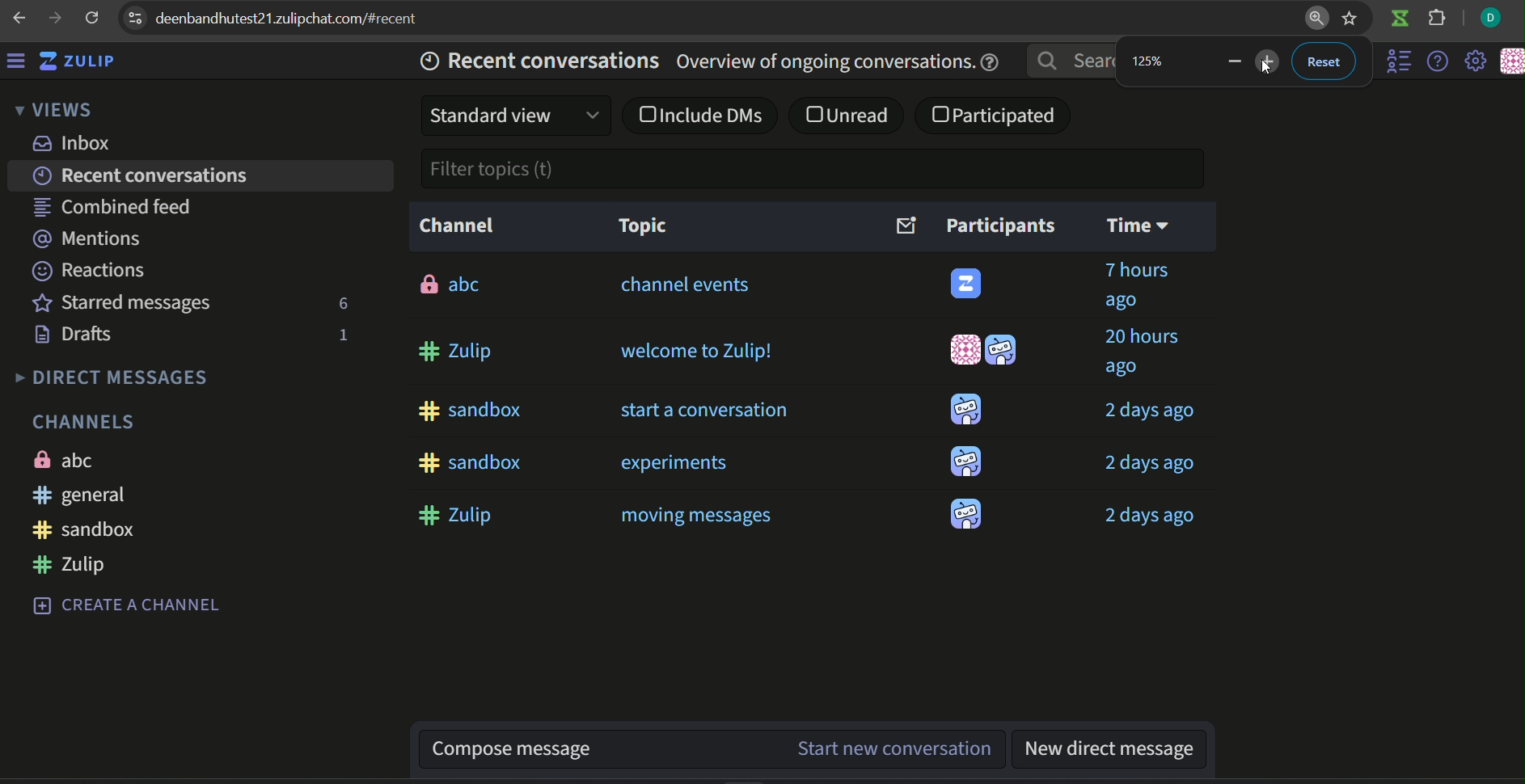 This screenshot has height=784, width=1525. I want to click on textbox, so click(642, 226).